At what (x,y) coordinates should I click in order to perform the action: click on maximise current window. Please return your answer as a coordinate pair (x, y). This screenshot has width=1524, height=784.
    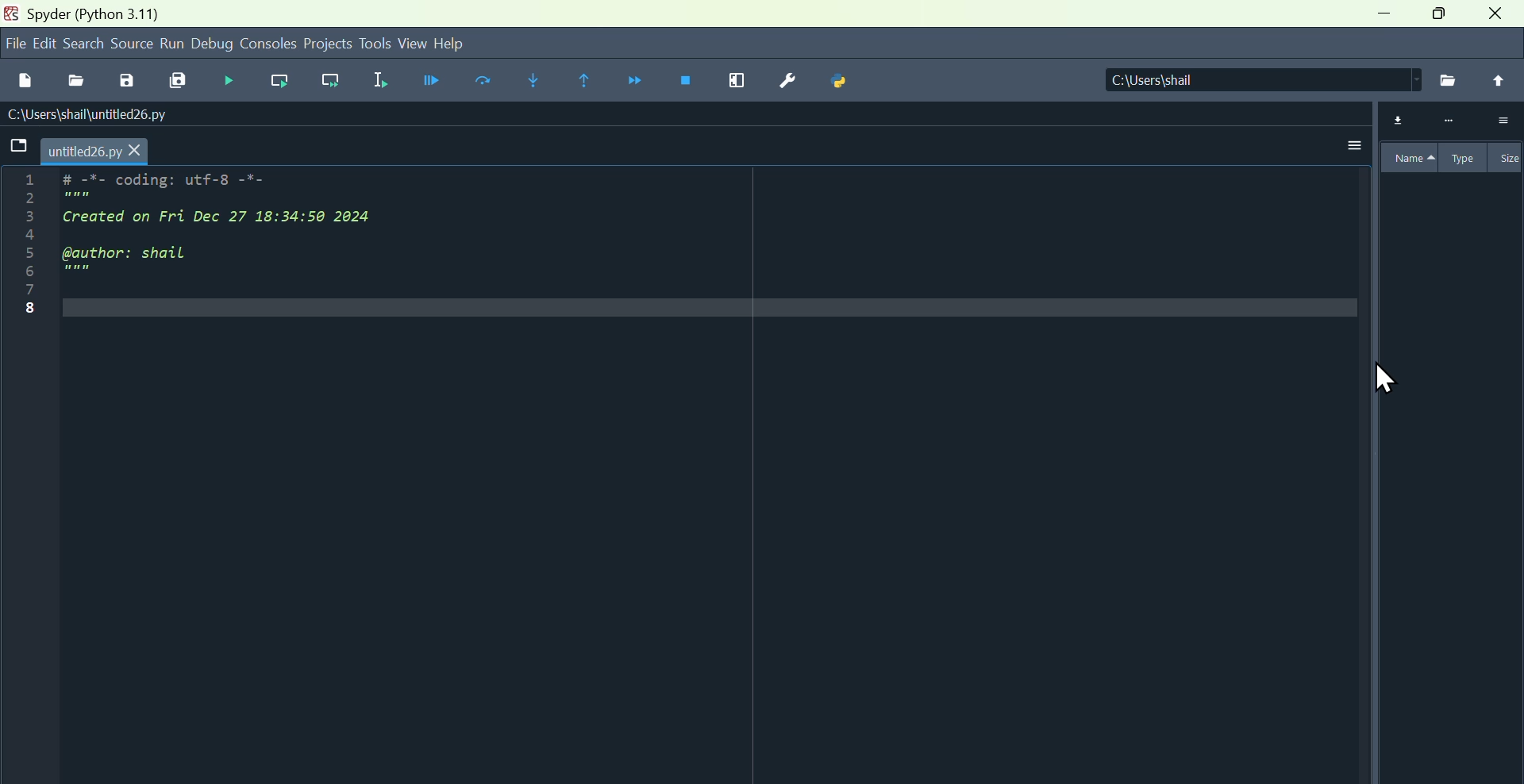
    Looking at the image, I should click on (736, 83).